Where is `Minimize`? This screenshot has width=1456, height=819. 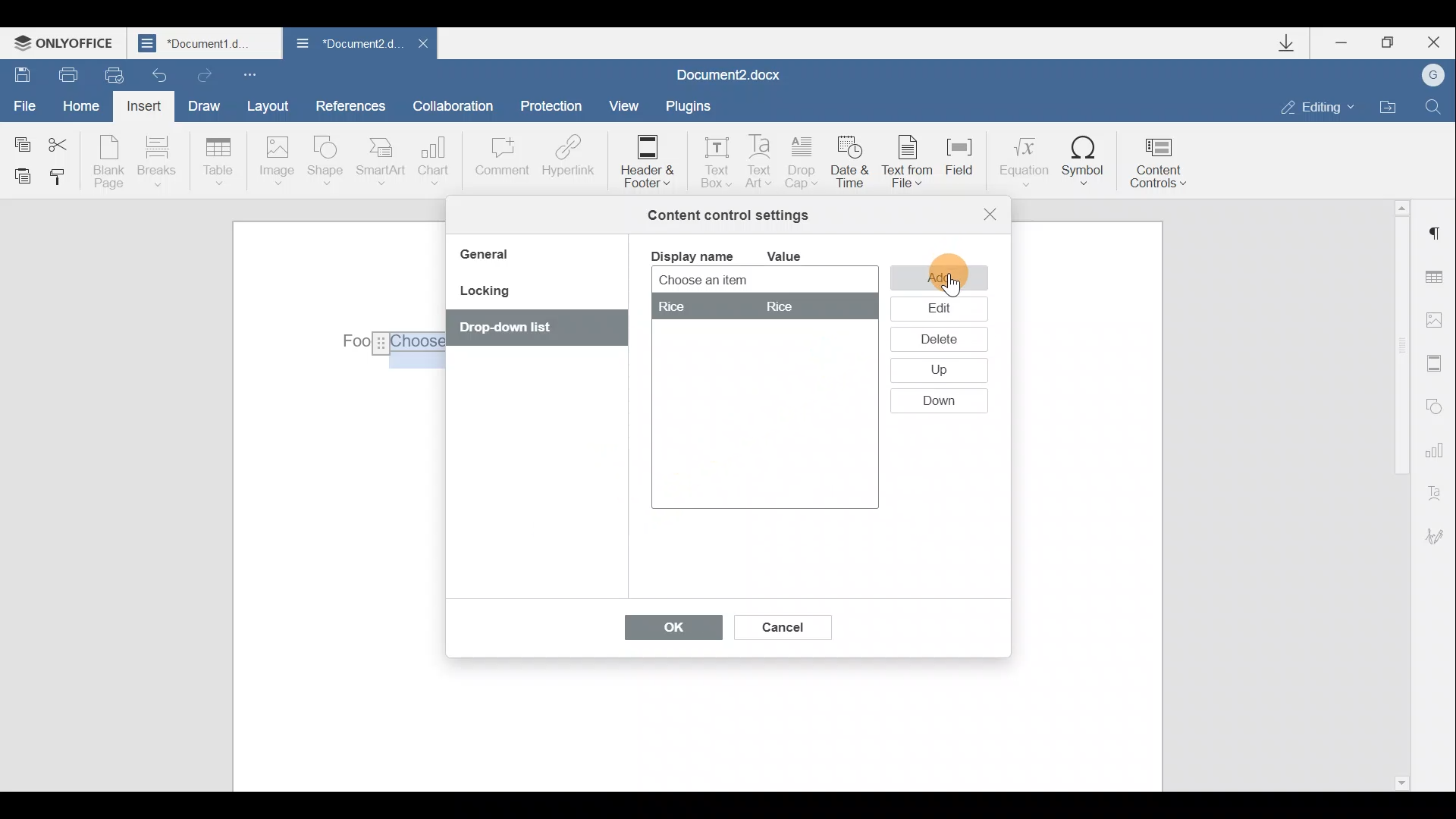
Minimize is located at coordinates (1348, 45).